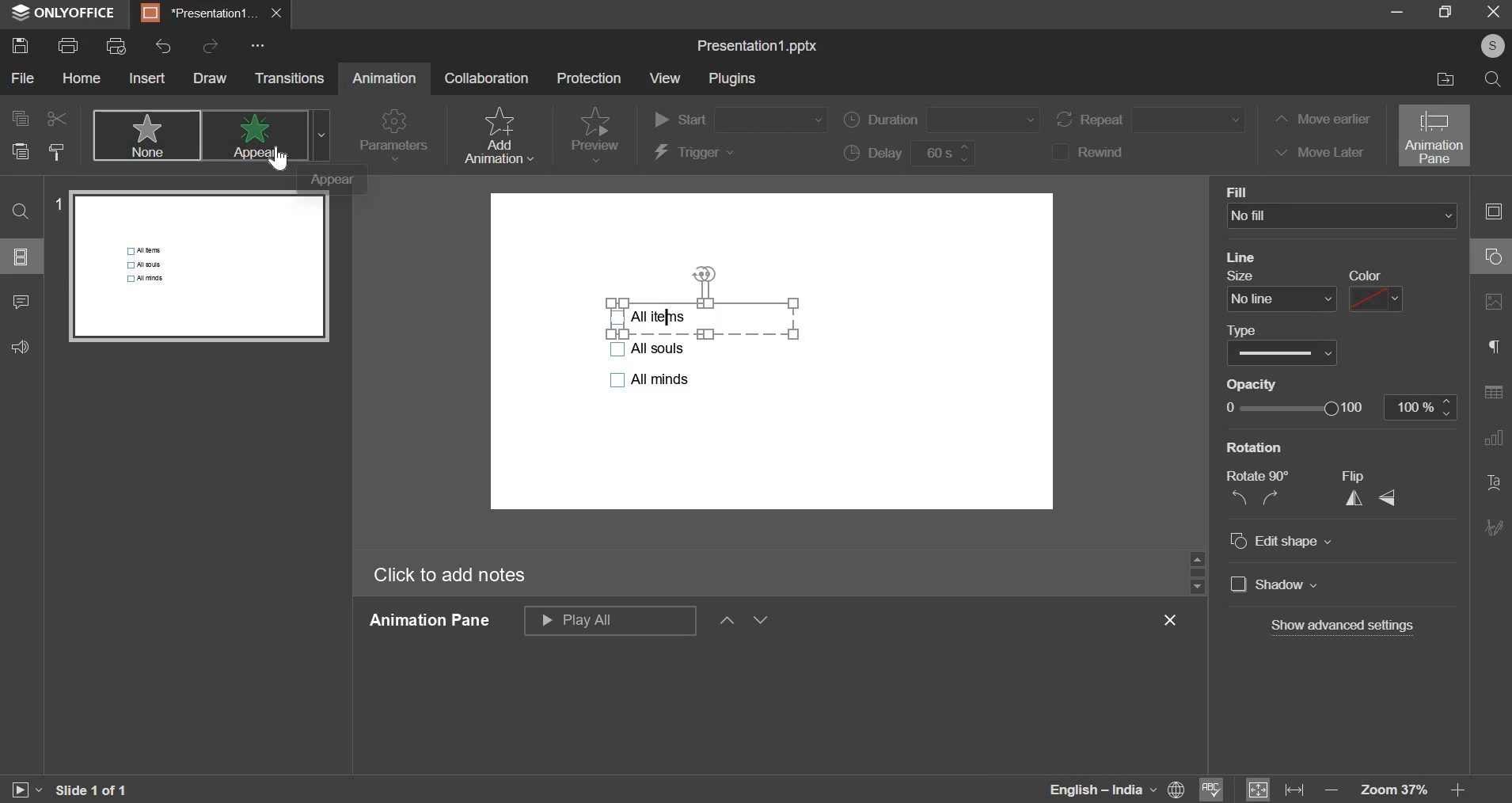 The width and height of the screenshot is (1512, 803). I want to click on line color, so click(1376, 299).